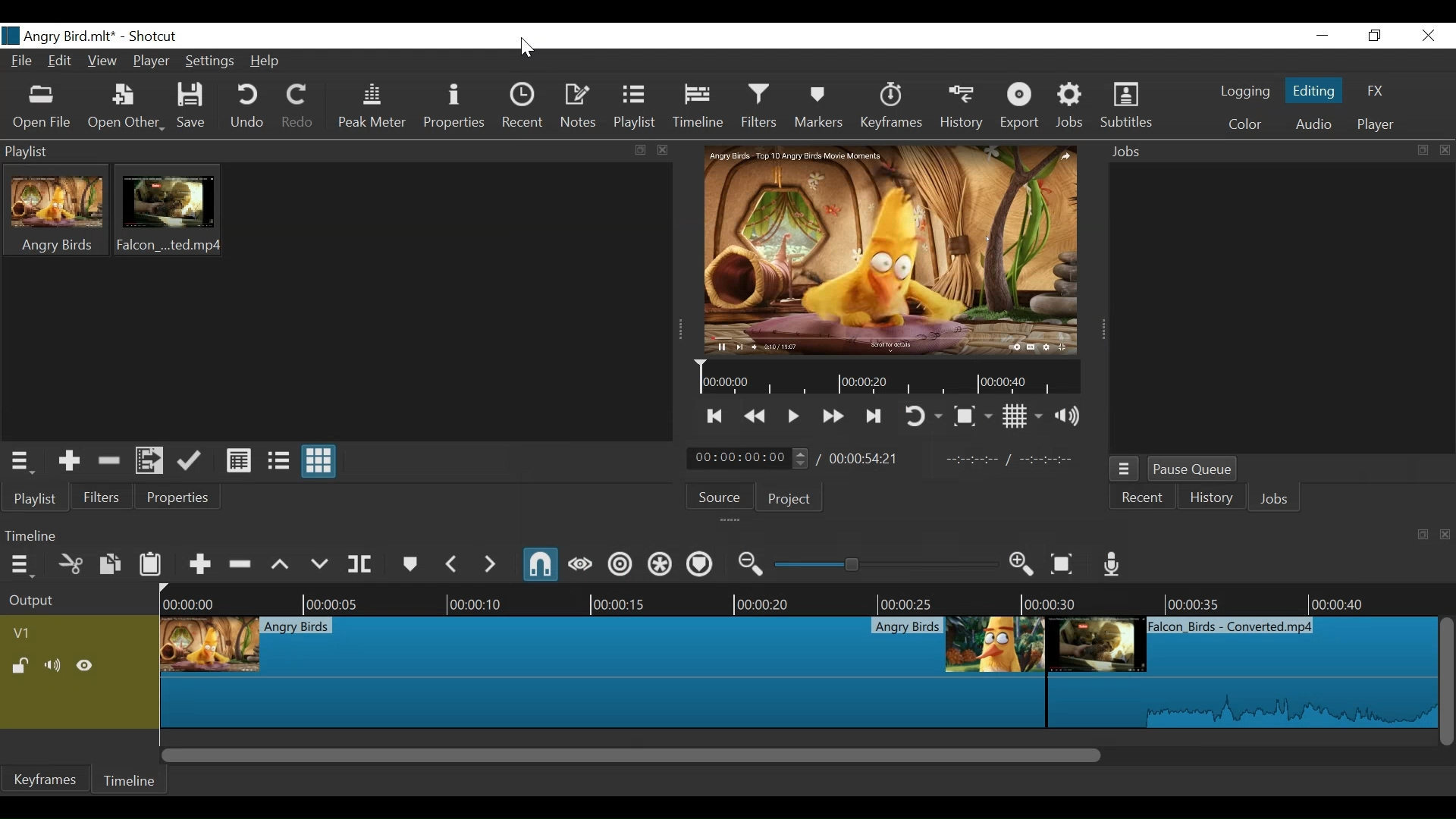  I want to click on Undo, so click(247, 107).